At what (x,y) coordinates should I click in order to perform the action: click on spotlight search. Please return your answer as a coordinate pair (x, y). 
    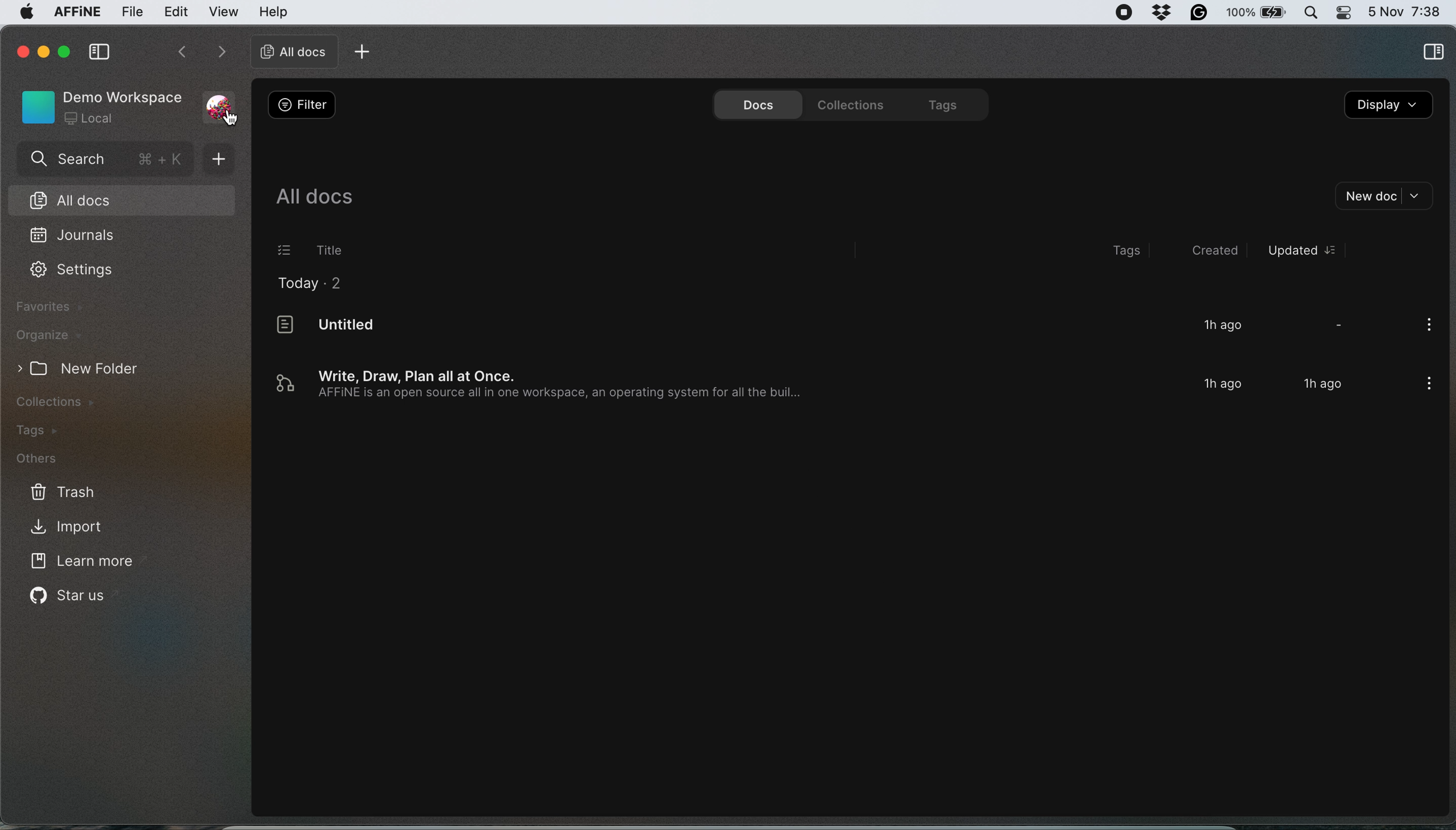
    Looking at the image, I should click on (1312, 12).